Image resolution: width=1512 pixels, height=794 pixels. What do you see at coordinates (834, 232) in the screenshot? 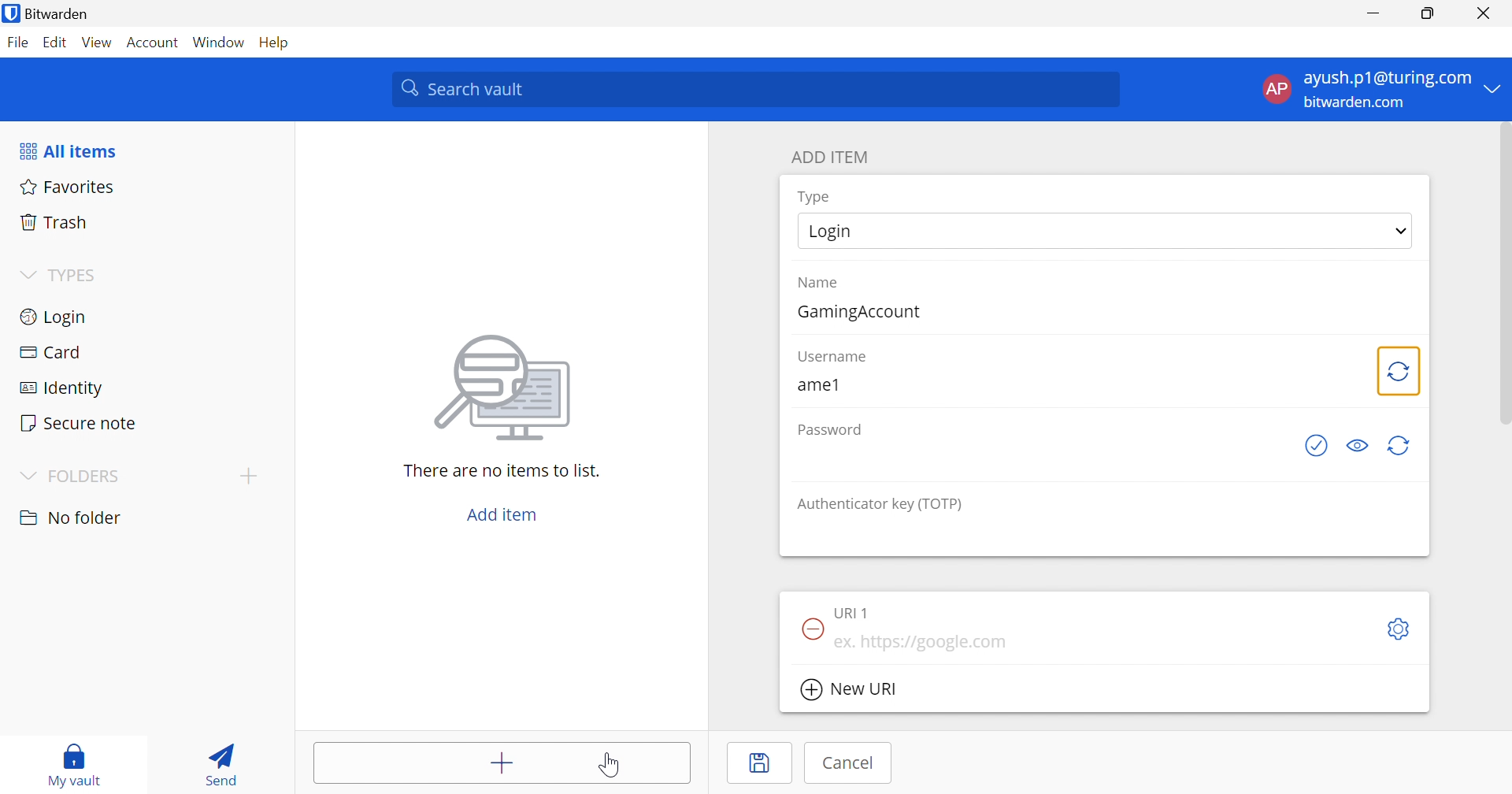
I see `Login` at bounding box center [834, 232].